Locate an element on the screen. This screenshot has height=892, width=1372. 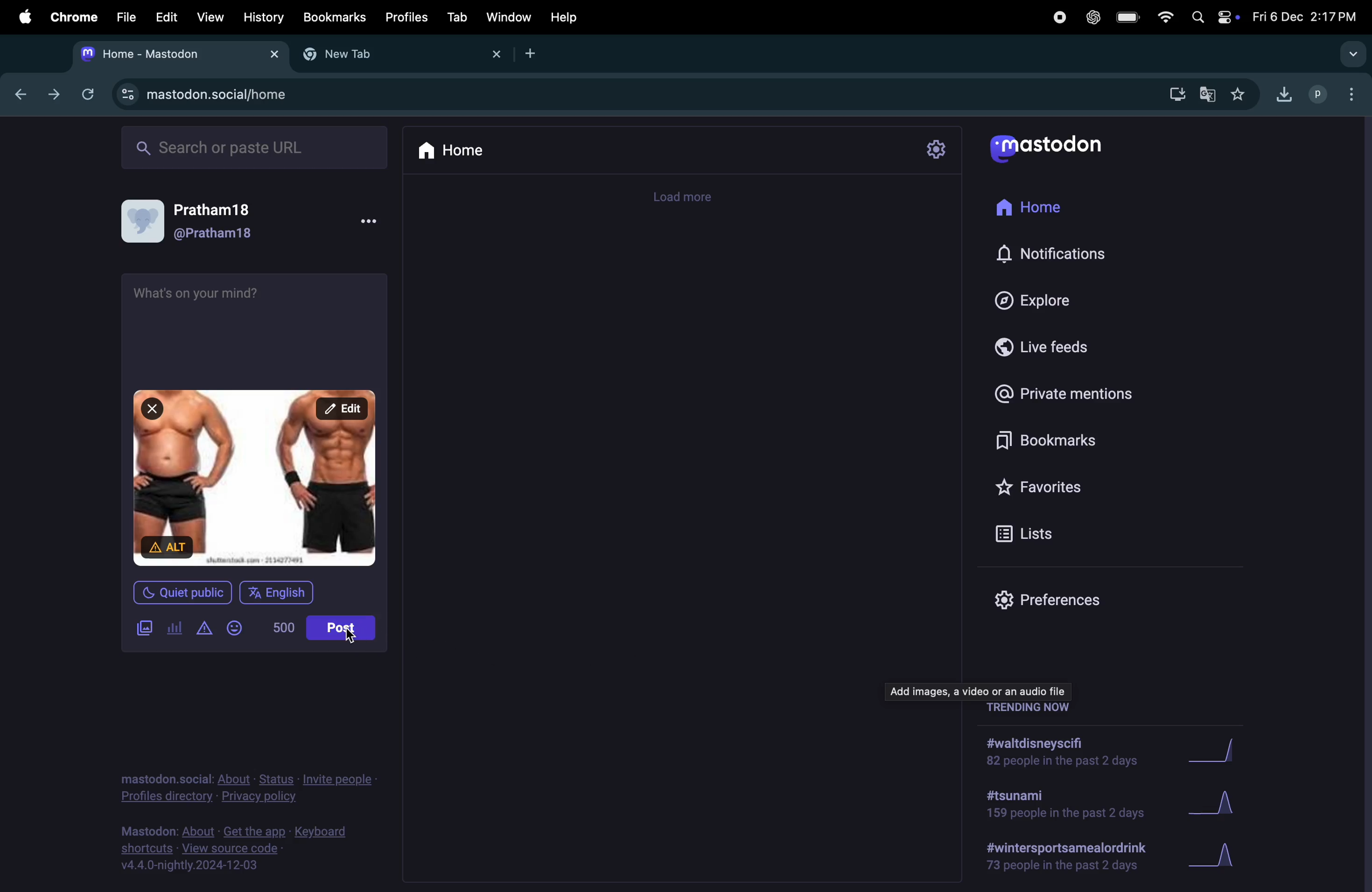
mastodon app is located at coordinates (1060, 152).